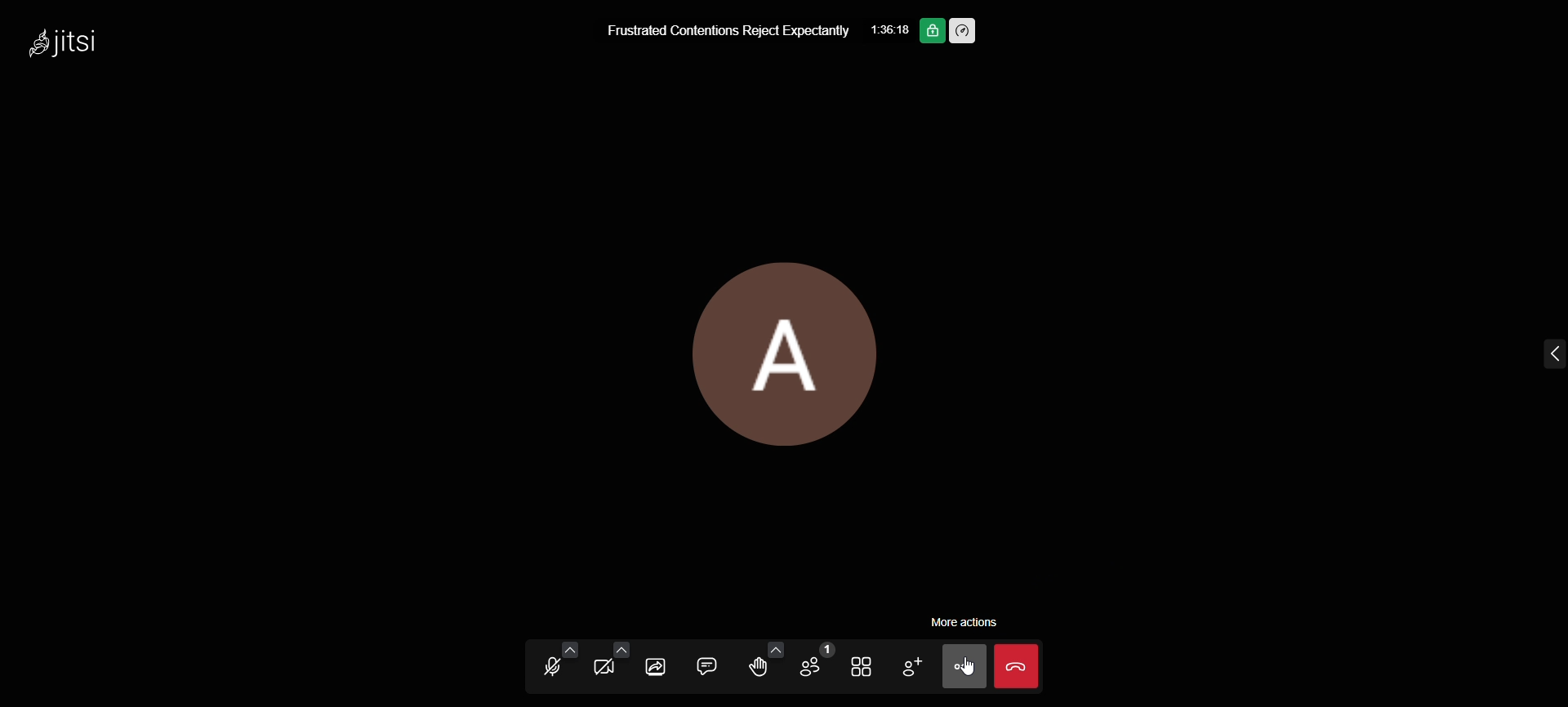  Describe the element at coordinates (929, 29) in the screenshot. I see `end to end encryption on` at that location.